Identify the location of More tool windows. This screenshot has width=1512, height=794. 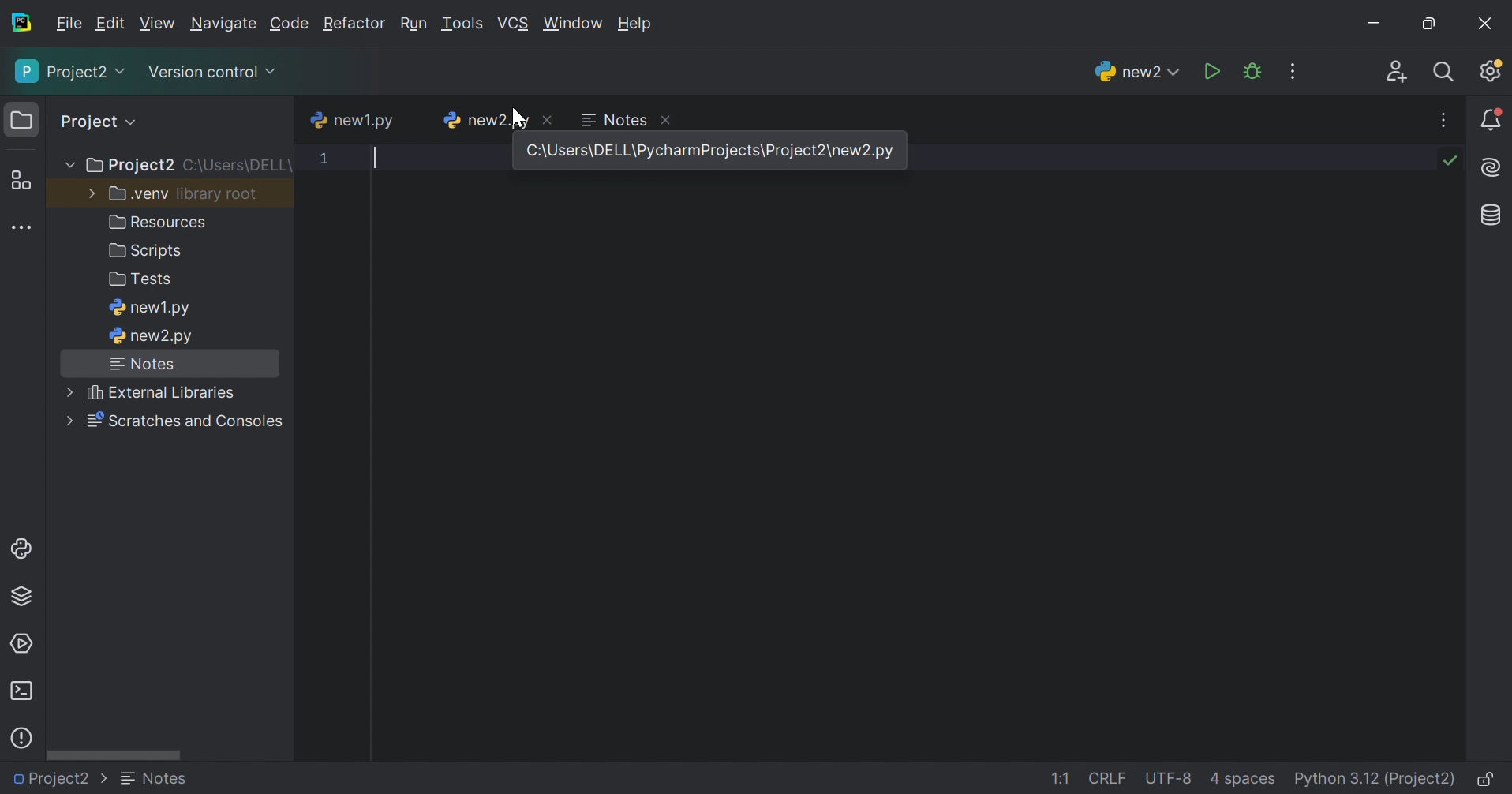
(21, 227).